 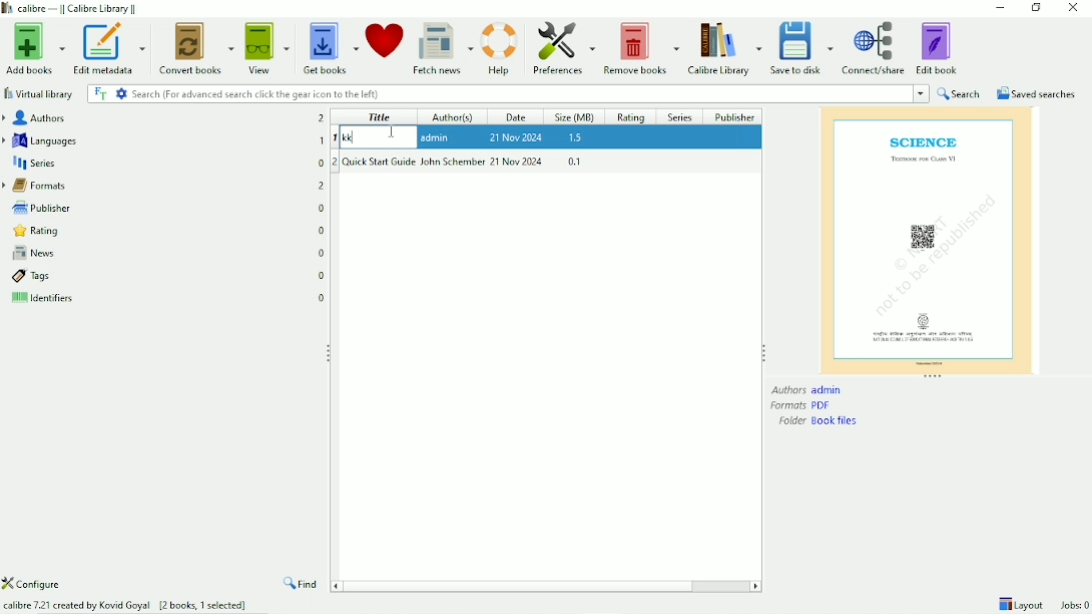 I want to click on Donate, so click(x=385, y=45).